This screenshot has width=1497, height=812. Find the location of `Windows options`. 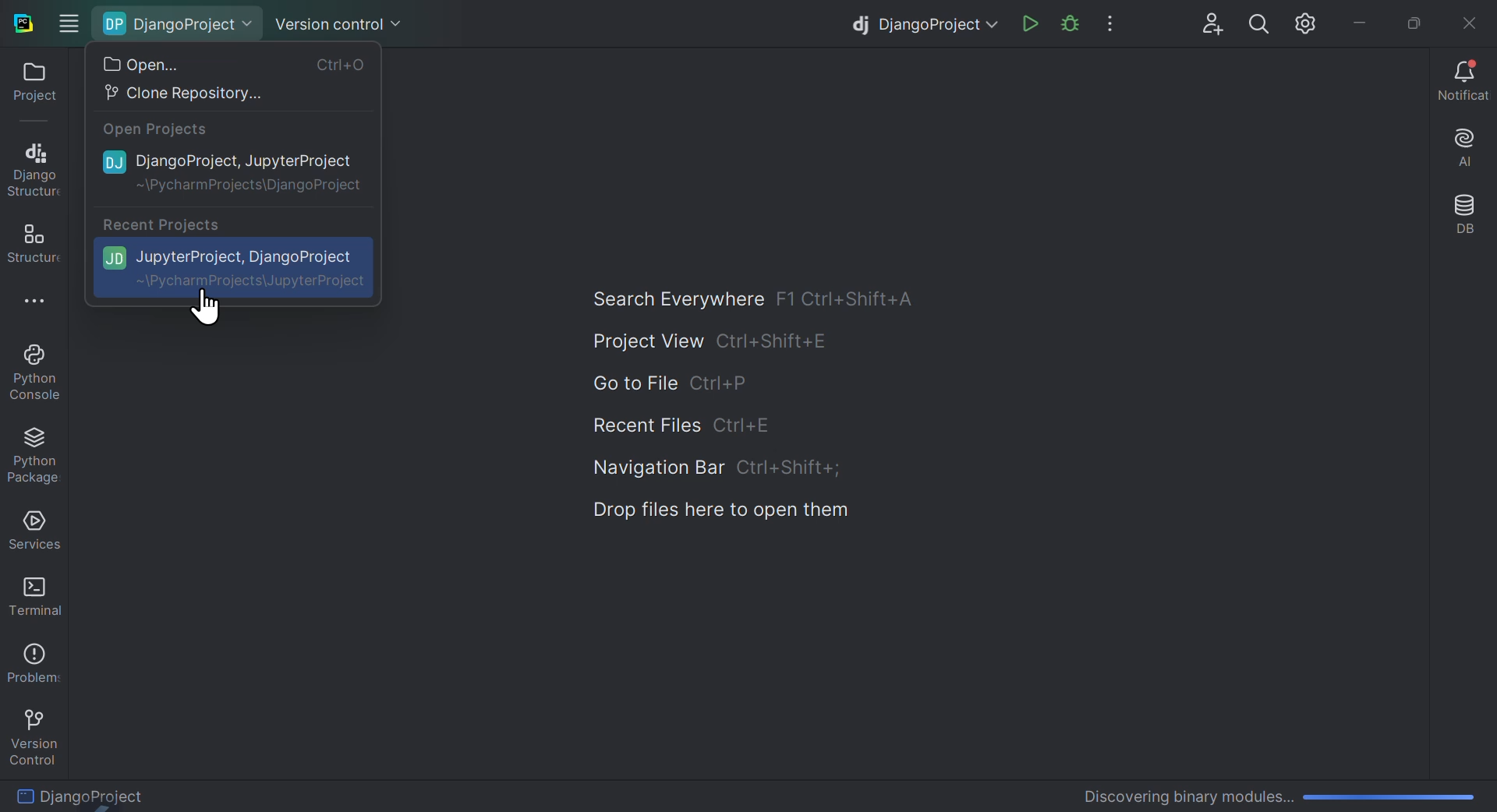

Windows options is located at coordinates (67, 19).